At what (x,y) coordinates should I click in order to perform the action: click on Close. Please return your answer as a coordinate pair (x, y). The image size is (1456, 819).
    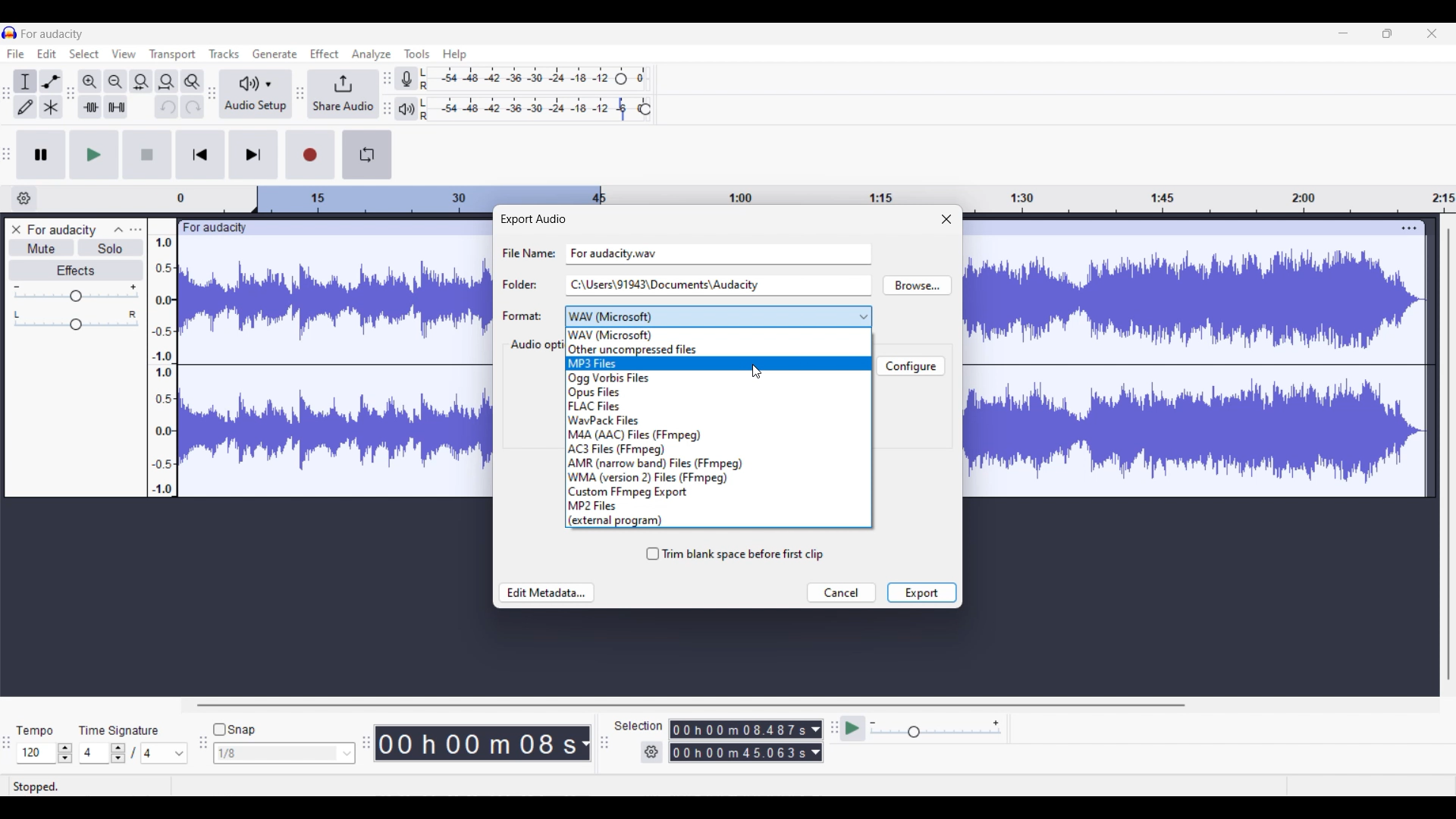
    Looking at the image, I should click on (946, 218).